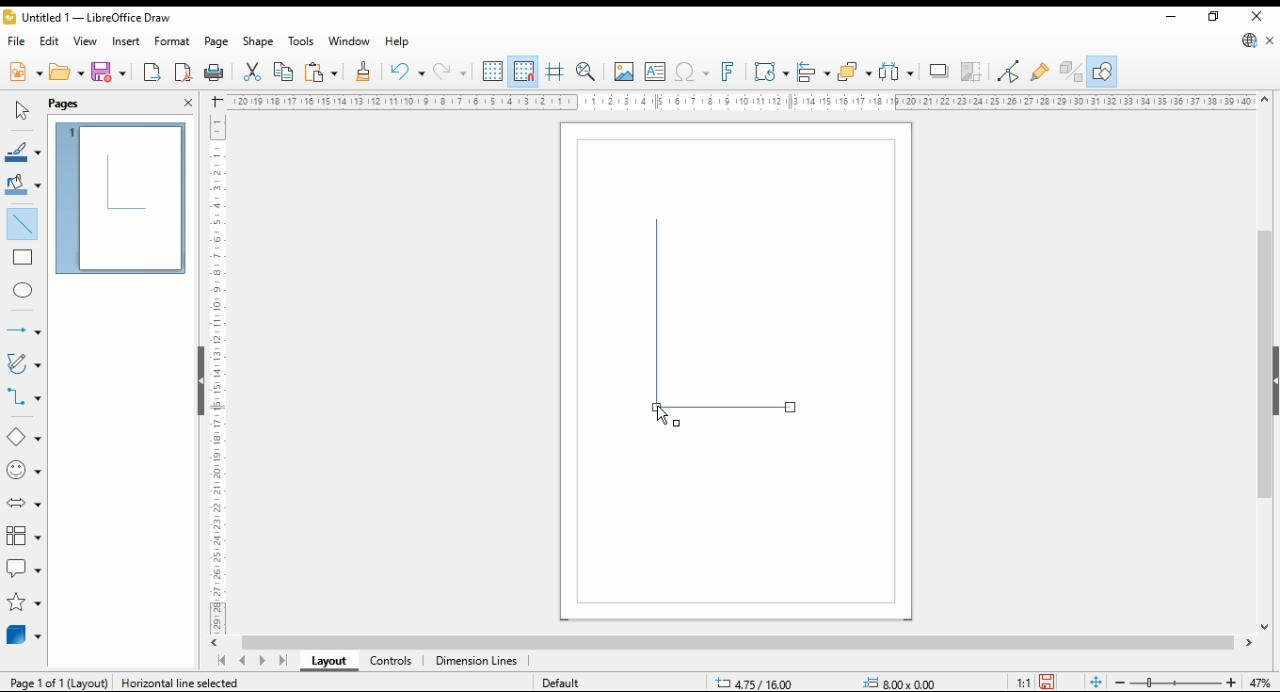 This screenshot has width=1280, height=692. What do you see at coordinates (623, 71) in the screenshot?
I see `insert image` at bounding box center [623, 71].